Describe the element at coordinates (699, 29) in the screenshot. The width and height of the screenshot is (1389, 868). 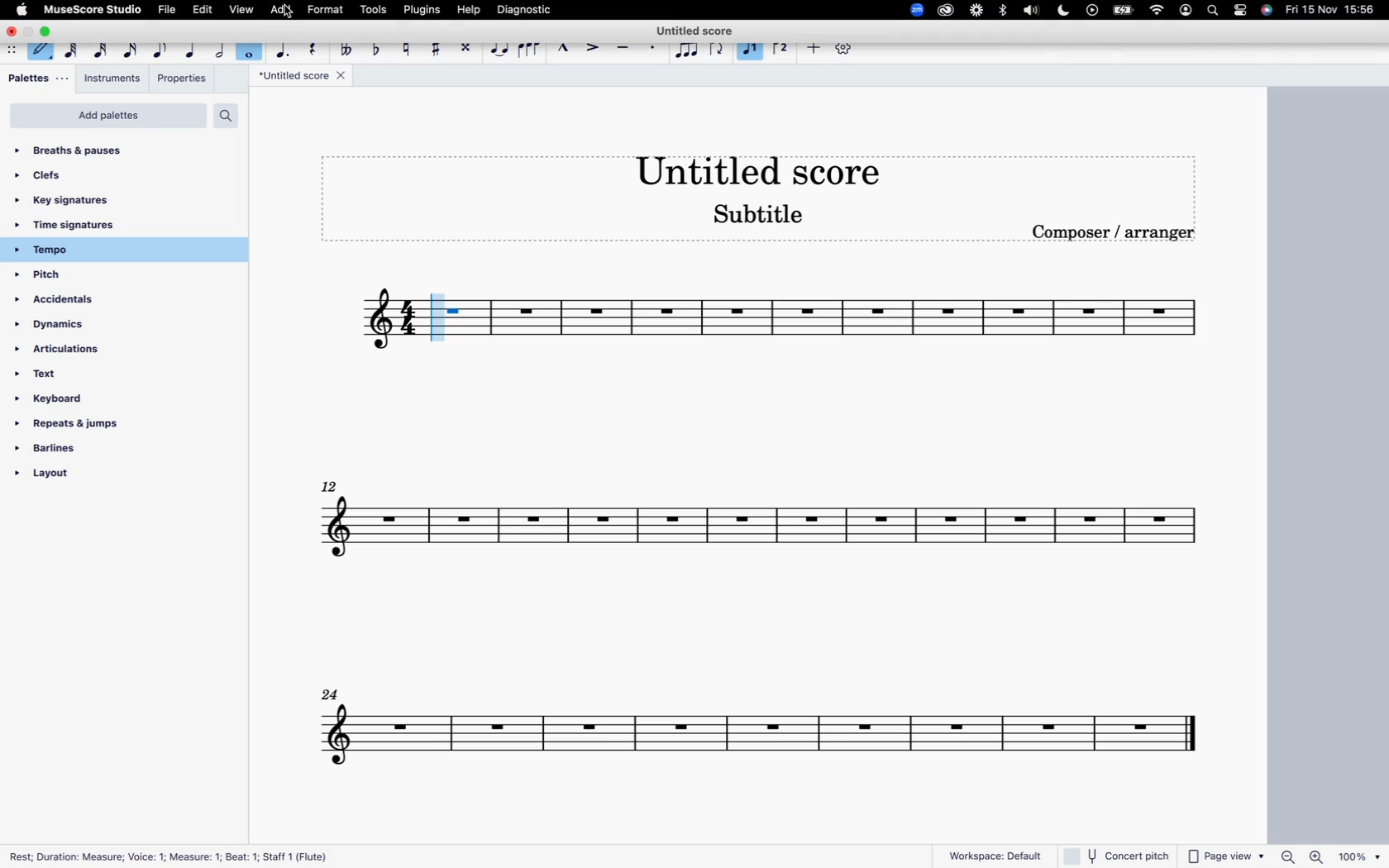
I see `score title` at that location.